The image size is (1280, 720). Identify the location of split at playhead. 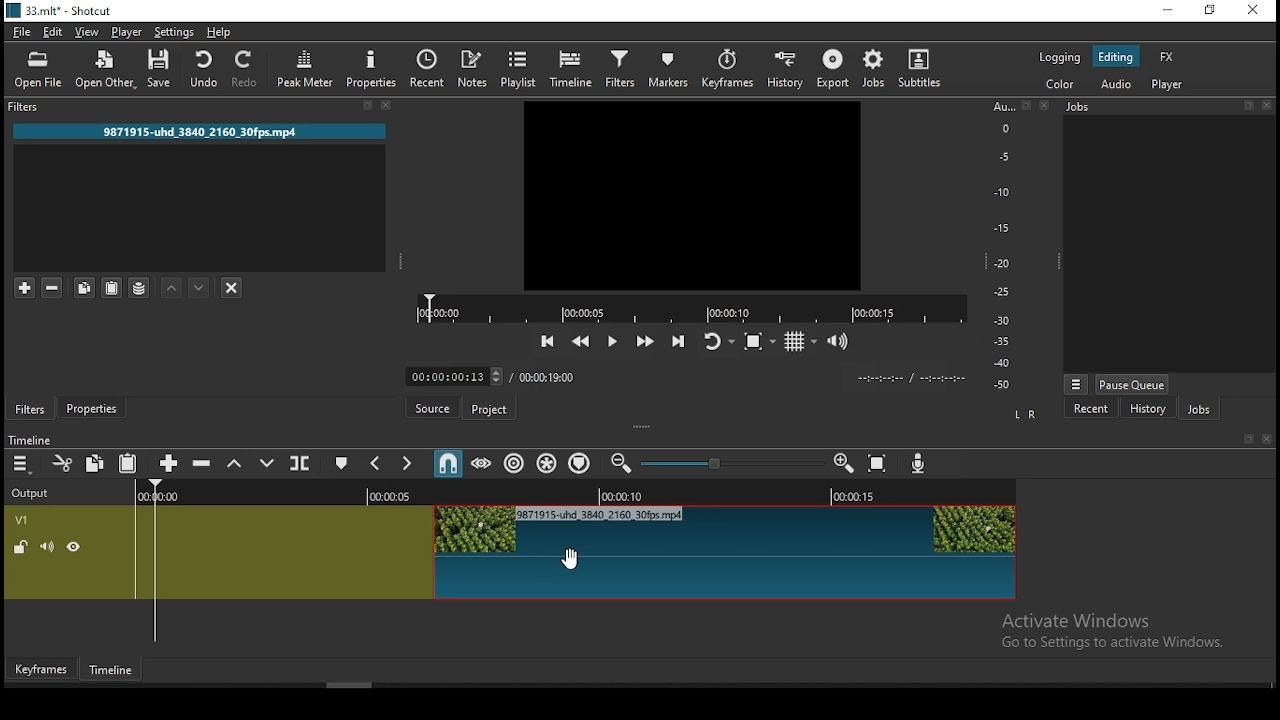
(301, 463).